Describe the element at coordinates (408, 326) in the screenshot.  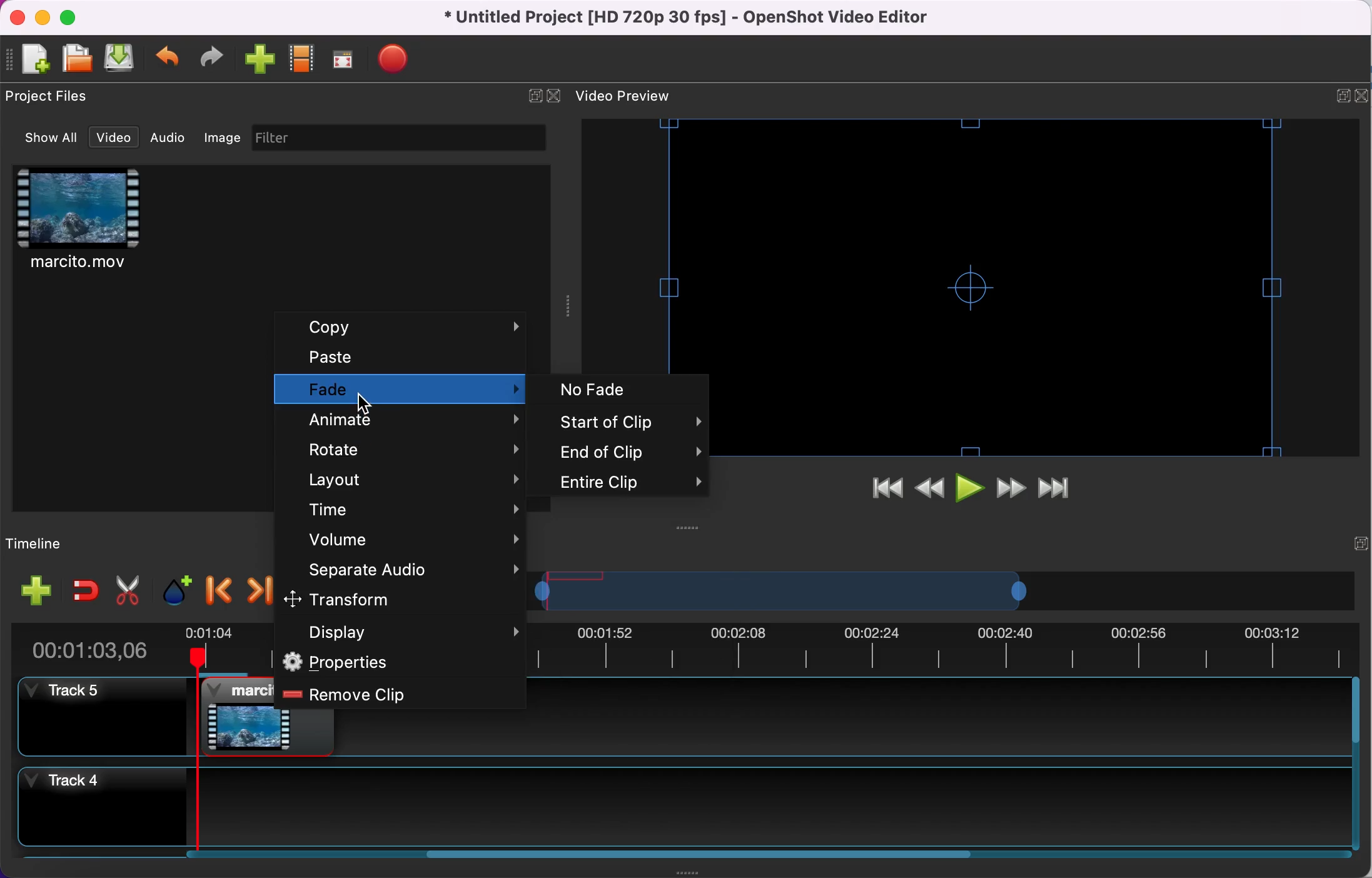
I see `copy` at that location.